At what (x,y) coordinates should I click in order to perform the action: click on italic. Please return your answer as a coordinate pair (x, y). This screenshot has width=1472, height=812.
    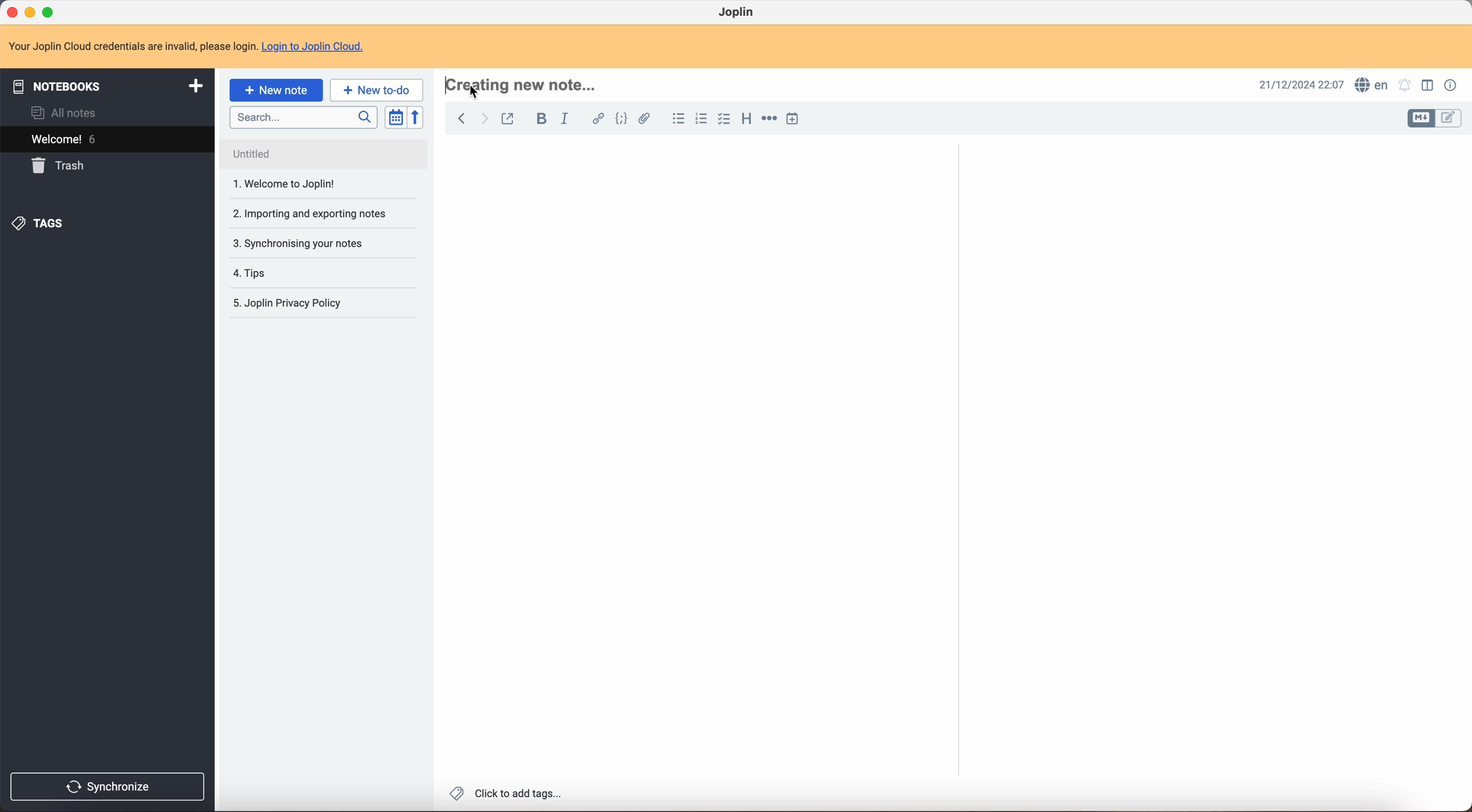
    Looking at the image, I should click on (567, 120).